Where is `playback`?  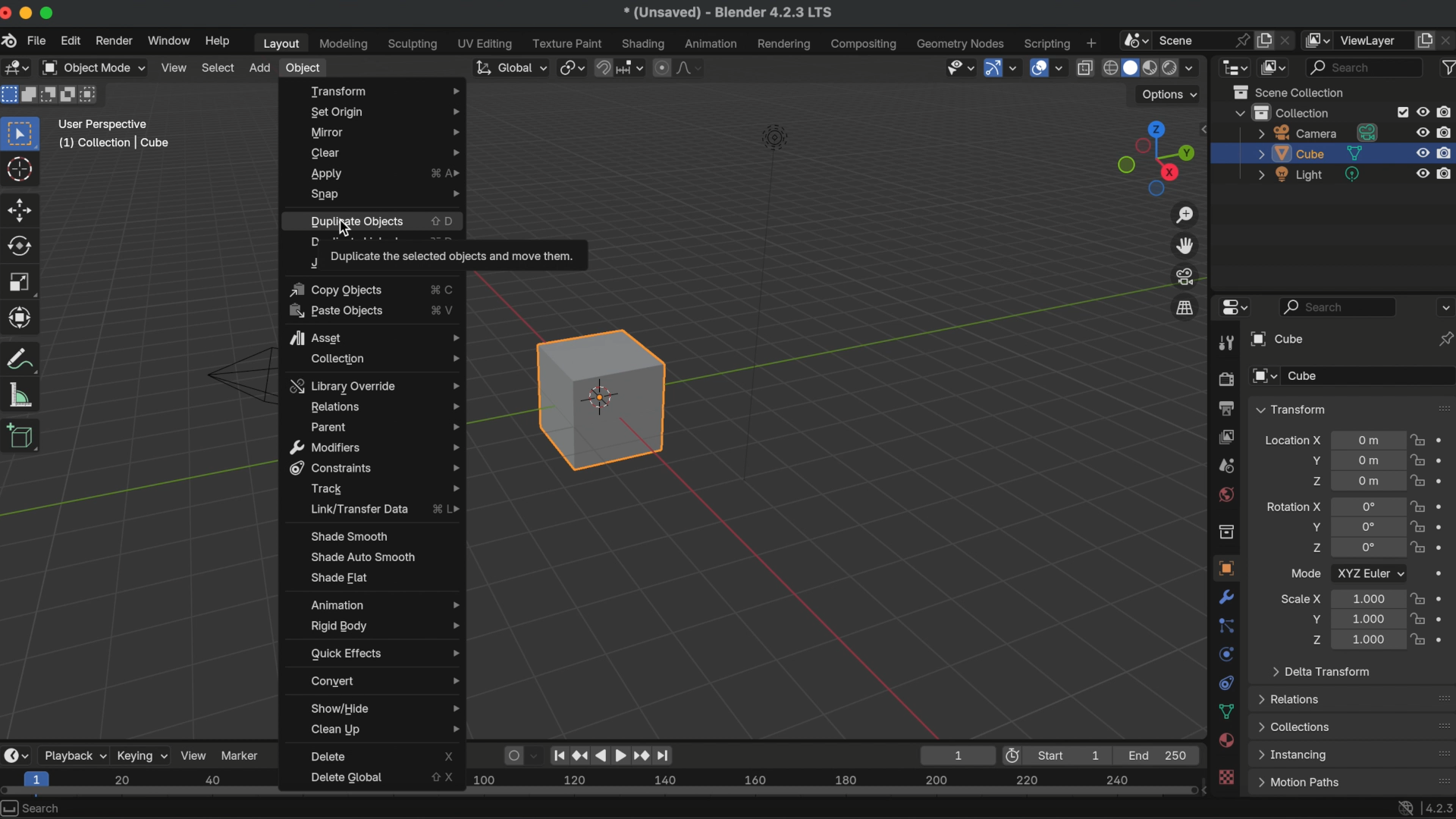 playback is located at coordinates (74, 755).